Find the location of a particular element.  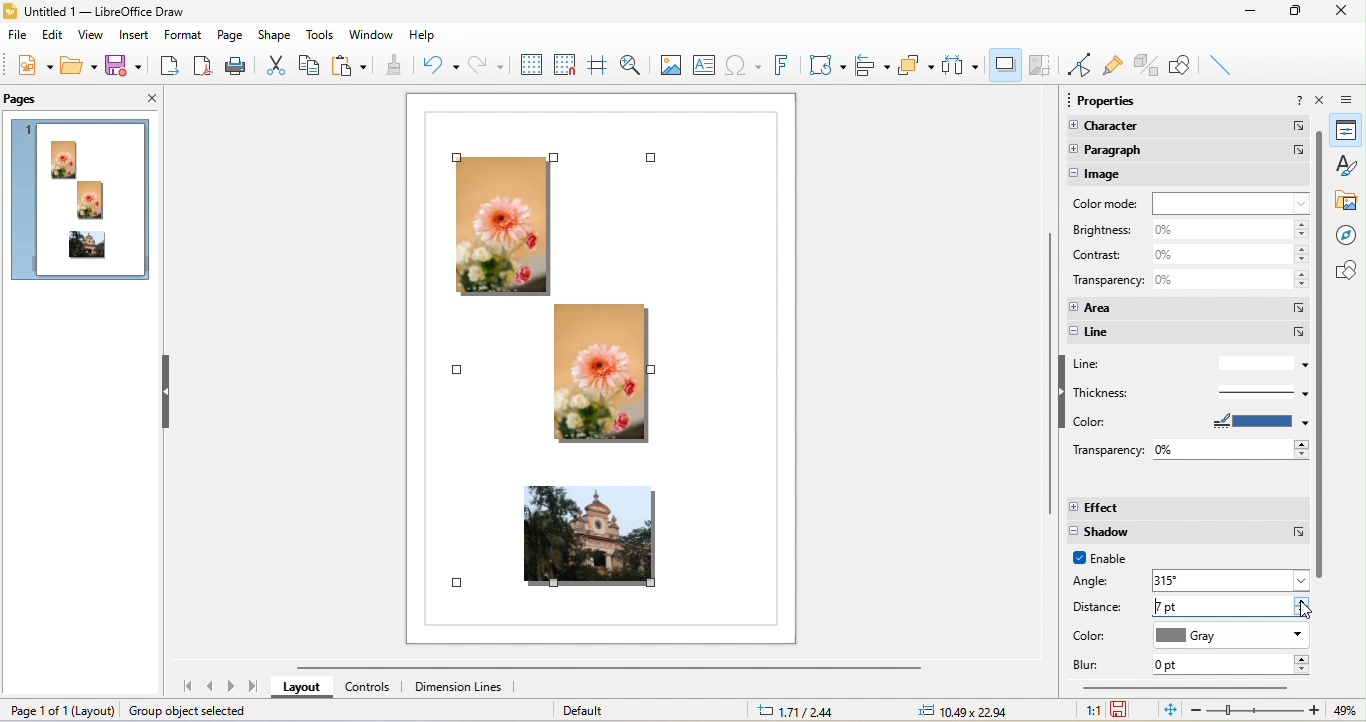

fit to current window is located at coordinates (1167, 710).